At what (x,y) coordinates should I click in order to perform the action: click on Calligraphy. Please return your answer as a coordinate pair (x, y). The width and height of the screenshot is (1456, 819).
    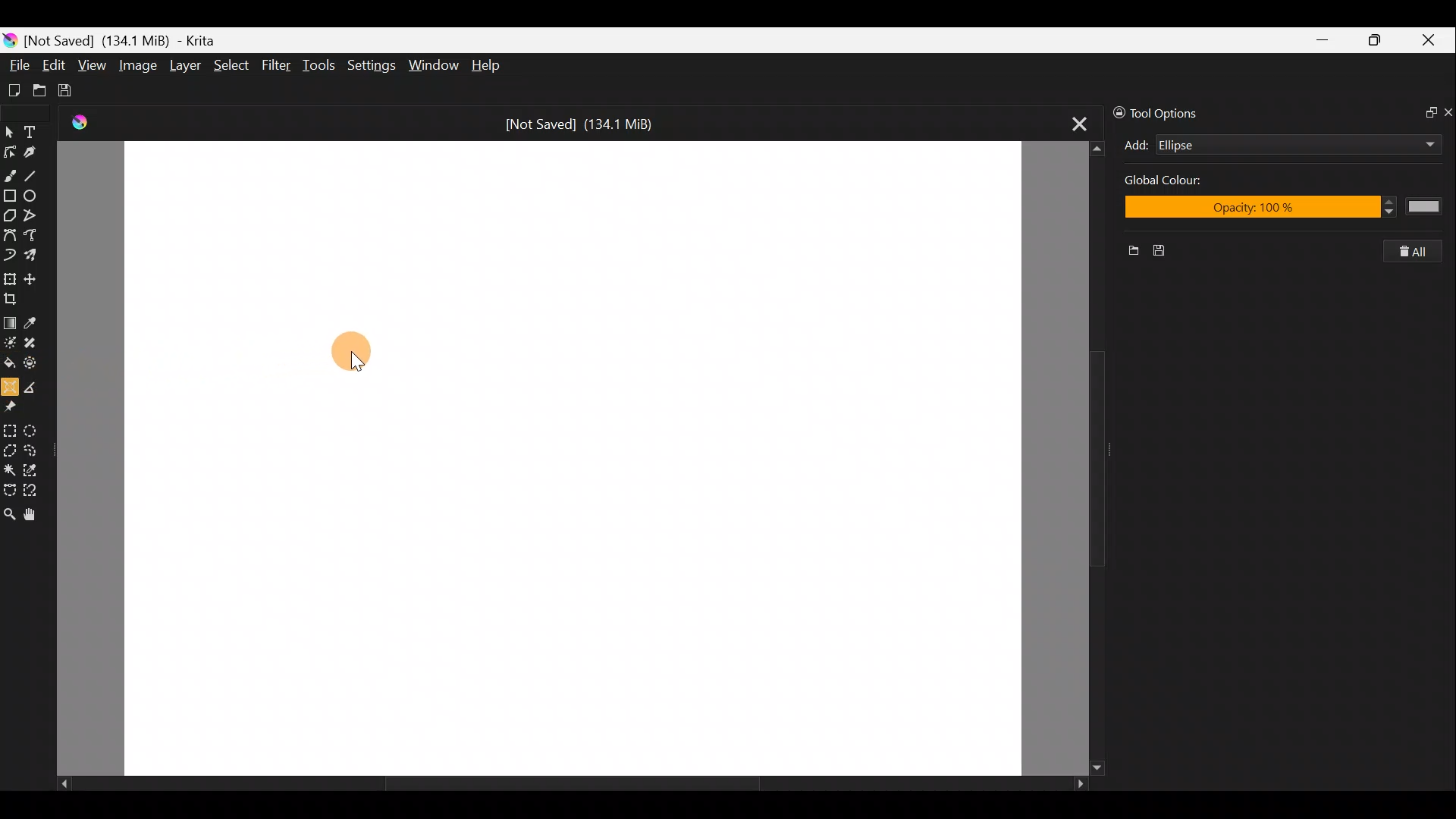
    Looking at the image, I should click on (36, 149).